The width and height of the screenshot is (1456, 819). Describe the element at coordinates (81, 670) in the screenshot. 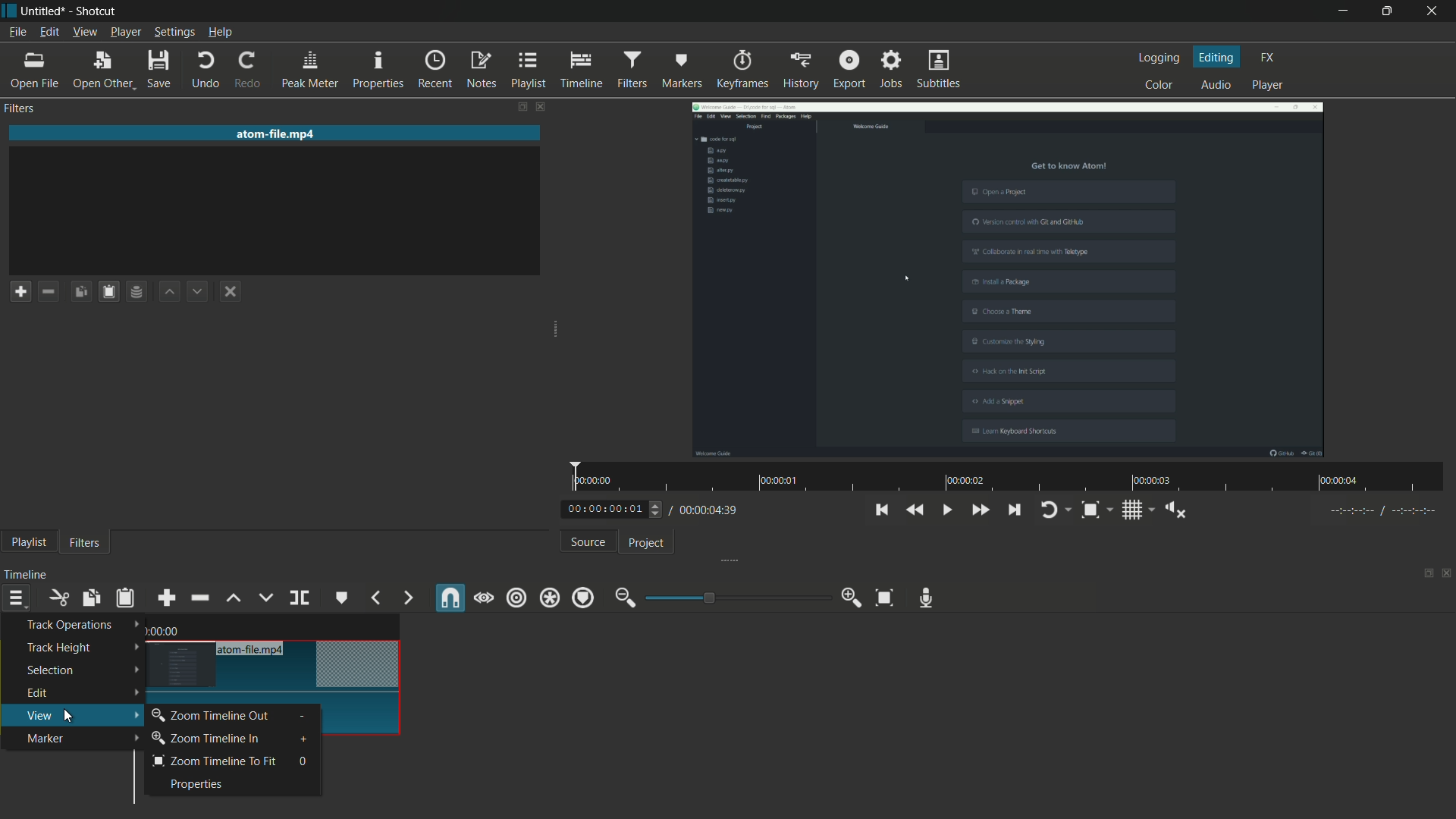

I see `selection` at that location.